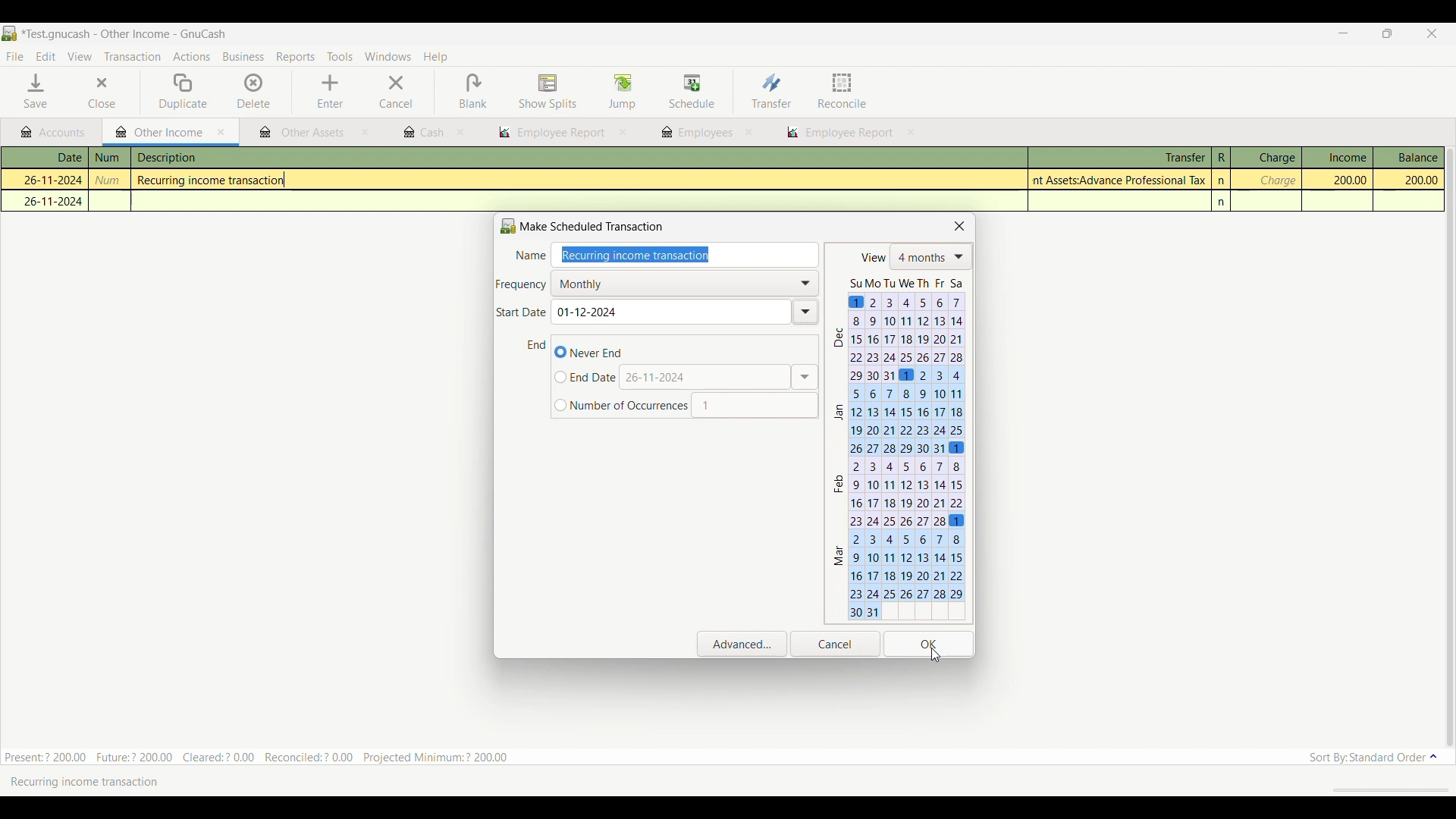 Image resolution: width=1456 pixels, height=819 pixels. What do you see at coordinates (742, 644) in the screenshot?
I see `Open advanced settings` at bounding box center [742, 644].